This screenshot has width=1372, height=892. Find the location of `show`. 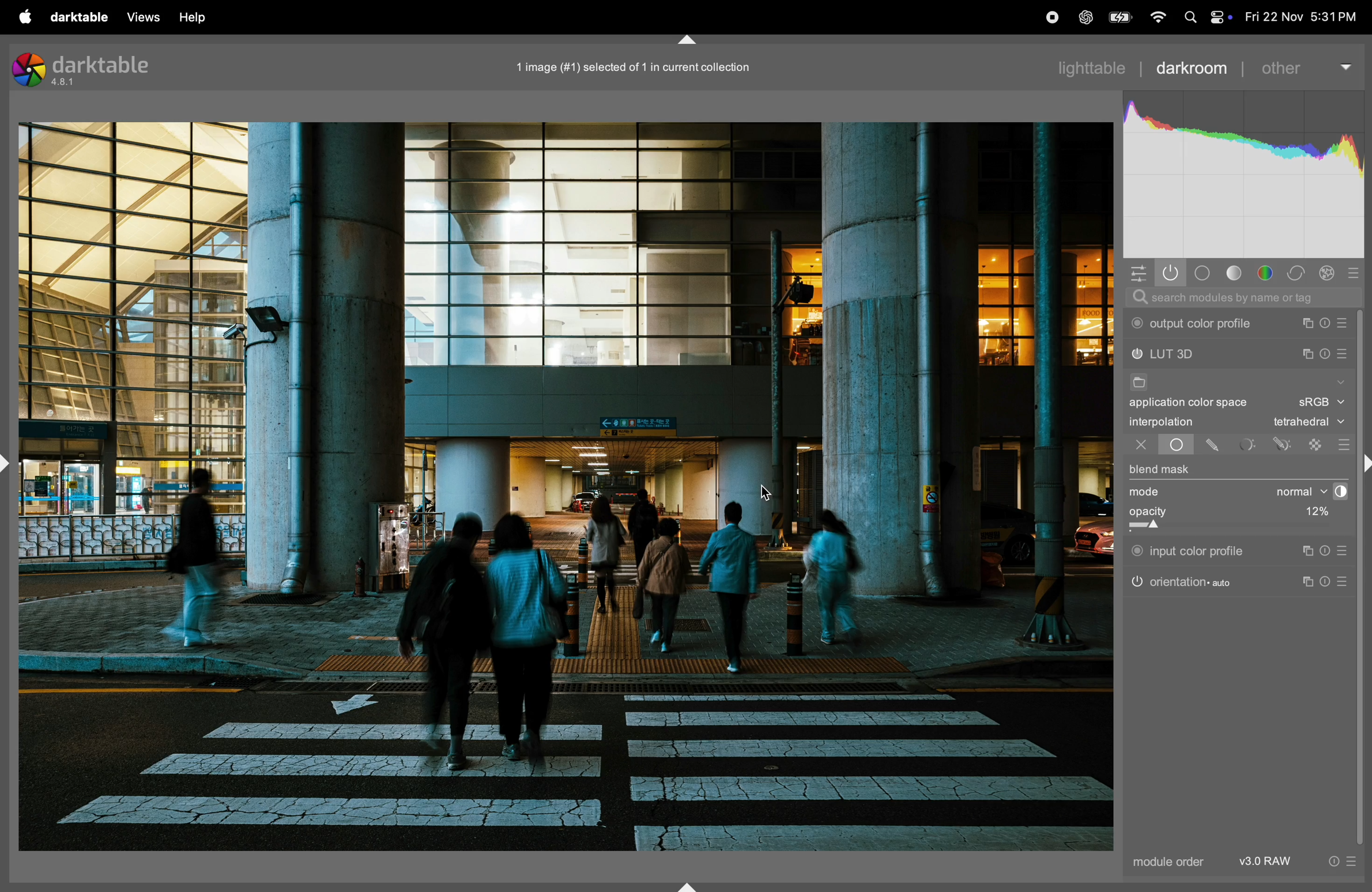

show is located at coordinates (1339, 380).